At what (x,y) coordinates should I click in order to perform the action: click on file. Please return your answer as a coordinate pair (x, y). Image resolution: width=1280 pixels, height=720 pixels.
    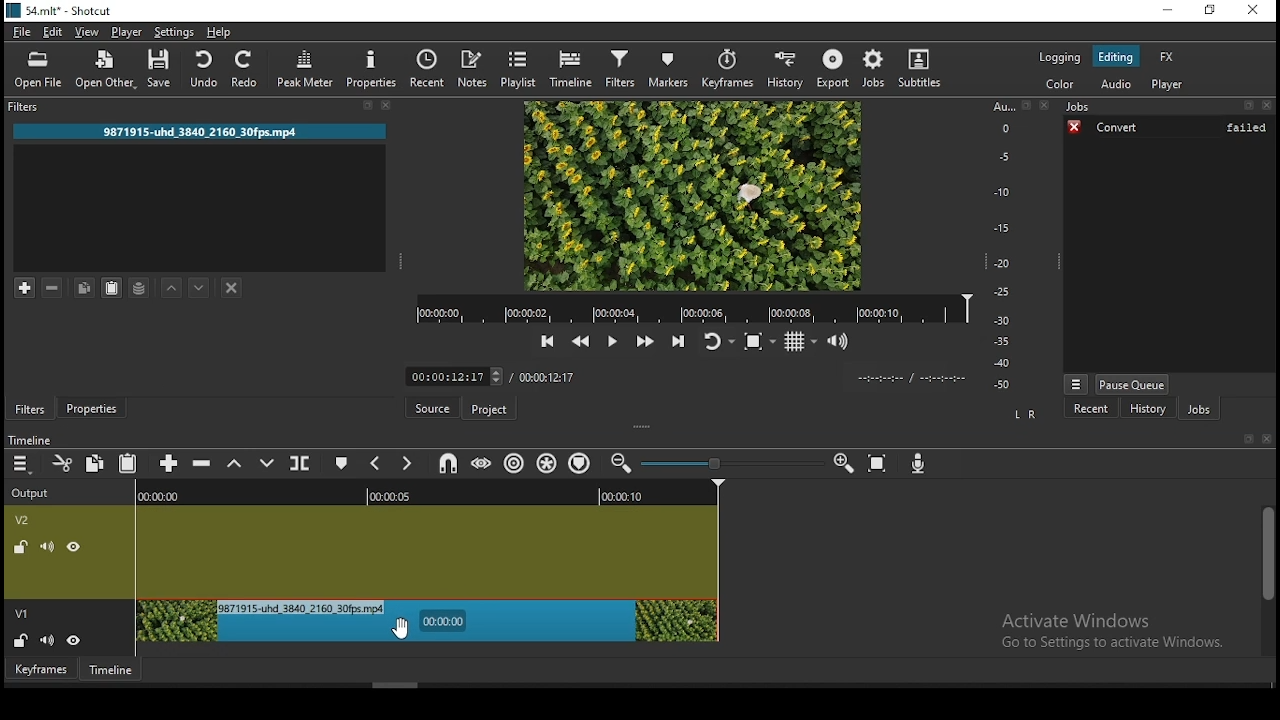
    Looking at the image, I should click on (24, 33).